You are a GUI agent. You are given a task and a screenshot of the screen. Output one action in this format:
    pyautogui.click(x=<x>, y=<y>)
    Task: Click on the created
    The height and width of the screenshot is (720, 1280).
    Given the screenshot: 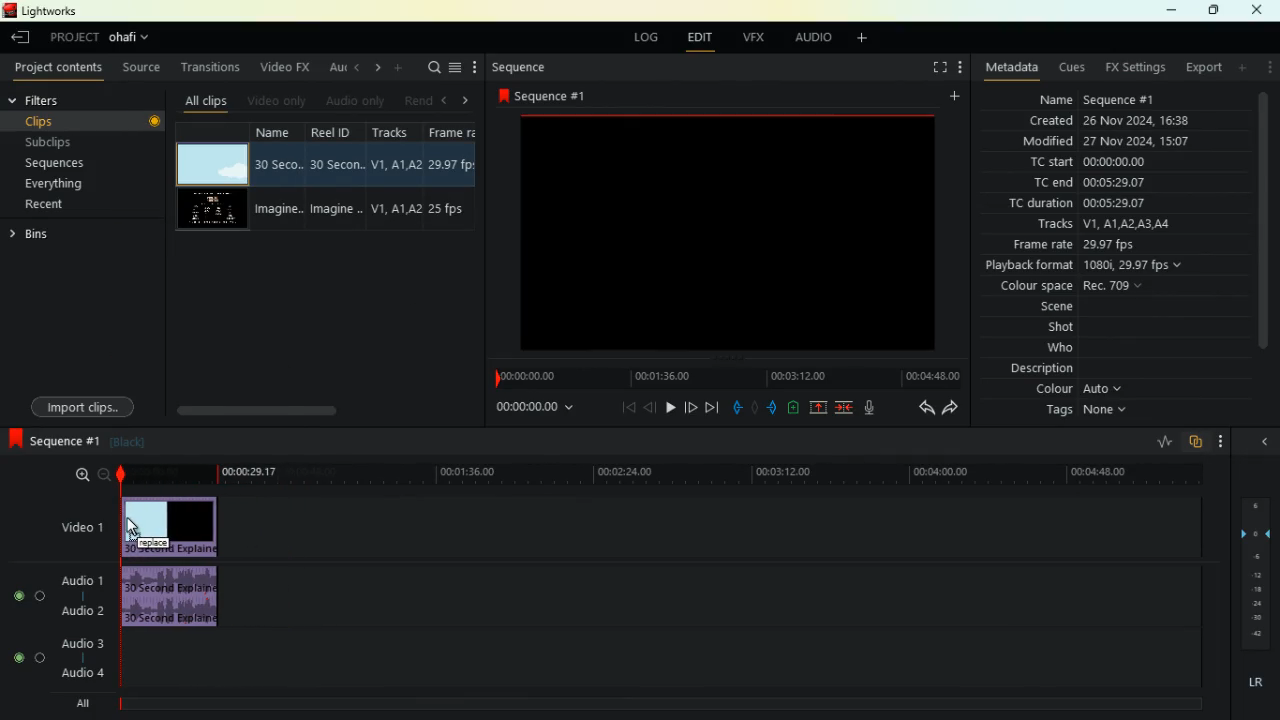 What is the action you would take?
    pyautogui.click(x=1054, y=120)
    